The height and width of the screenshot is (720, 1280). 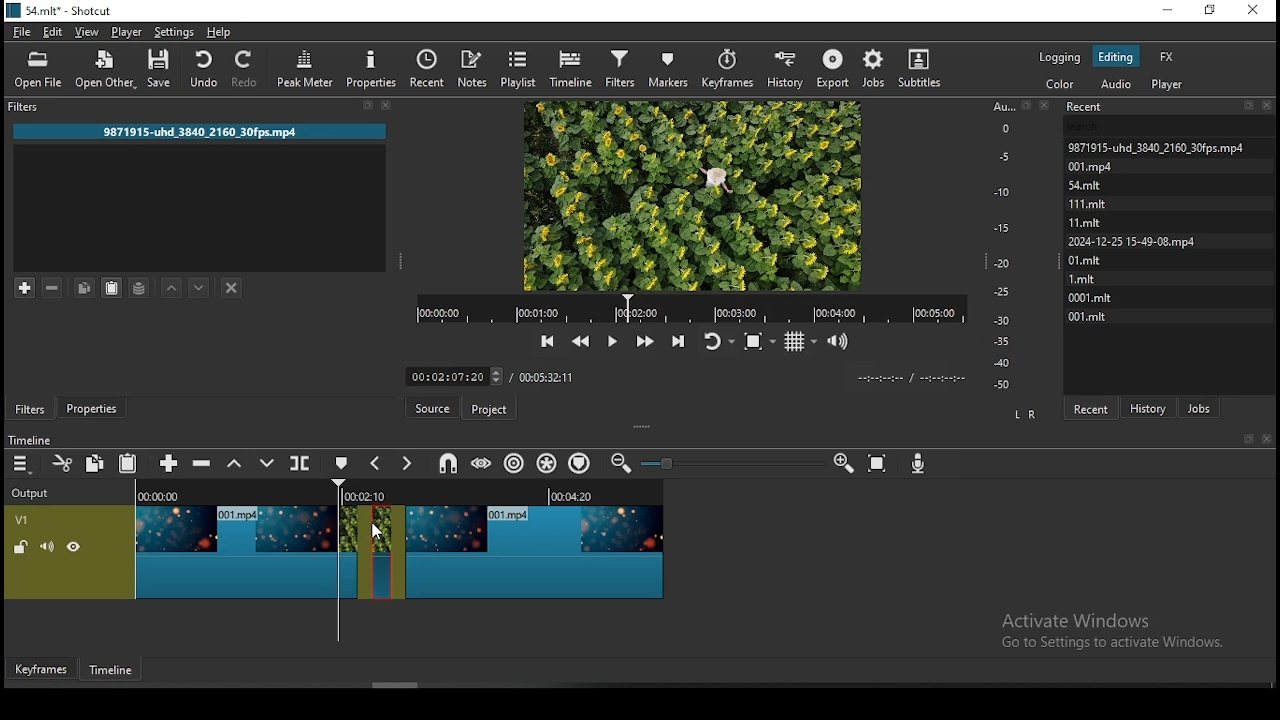 I want to click on timeline, so click(x=113, y=673).